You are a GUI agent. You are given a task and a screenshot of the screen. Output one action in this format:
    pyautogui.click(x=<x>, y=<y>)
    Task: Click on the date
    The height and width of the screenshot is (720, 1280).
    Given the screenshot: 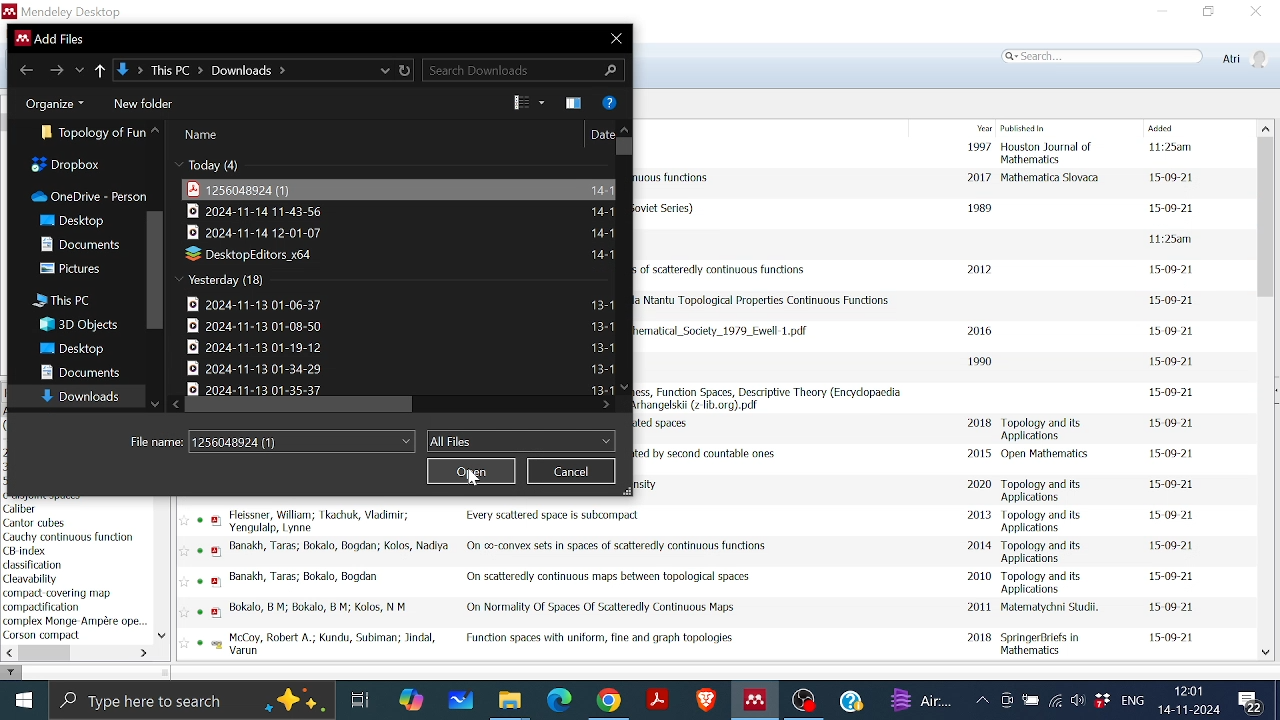 What is the action you would take?
    pyautogui.click(x=1168, y=578)
    